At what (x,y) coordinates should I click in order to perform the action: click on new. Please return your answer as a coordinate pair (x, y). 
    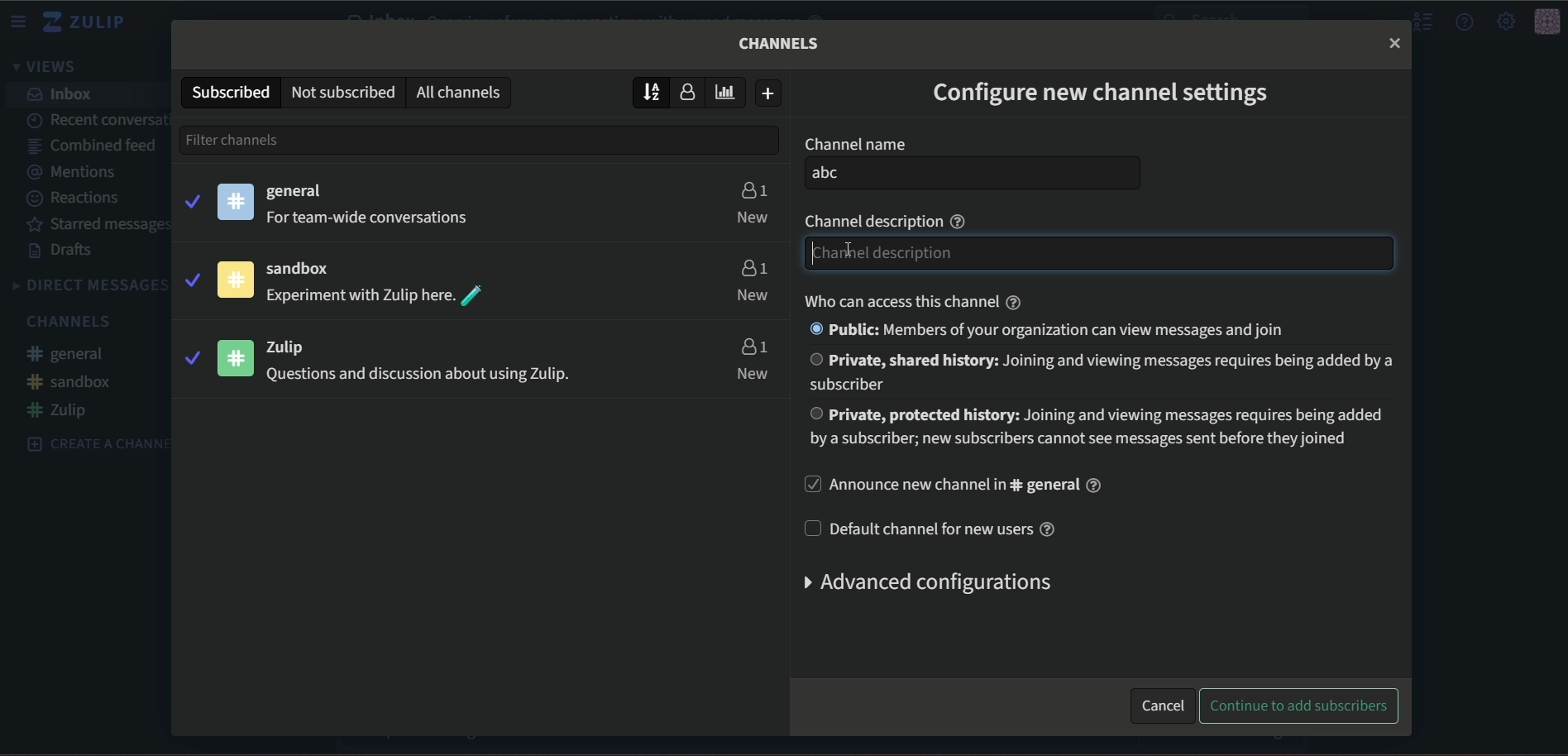
    Looking at the image, I should click on (753, 296).